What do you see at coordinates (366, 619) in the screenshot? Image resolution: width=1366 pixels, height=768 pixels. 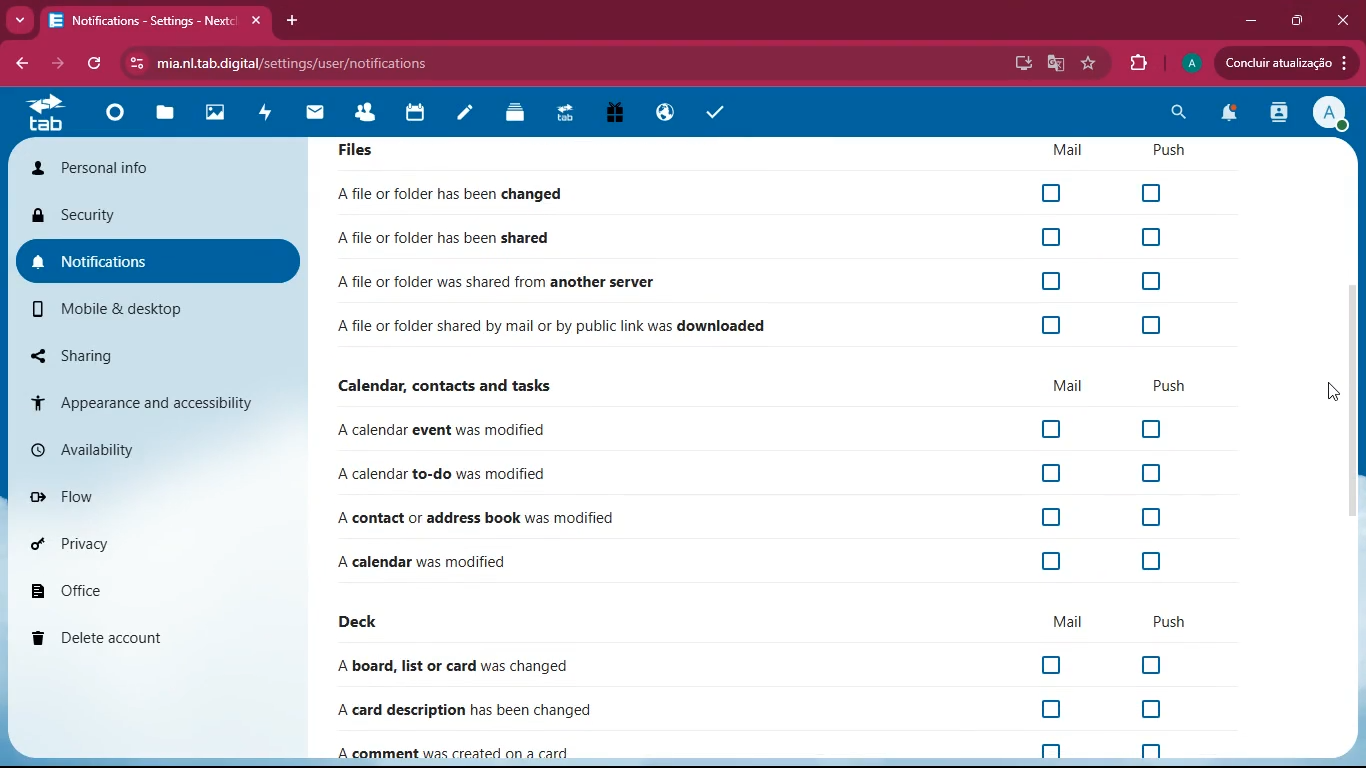 I see `deck` at bounding box center [366, 619].